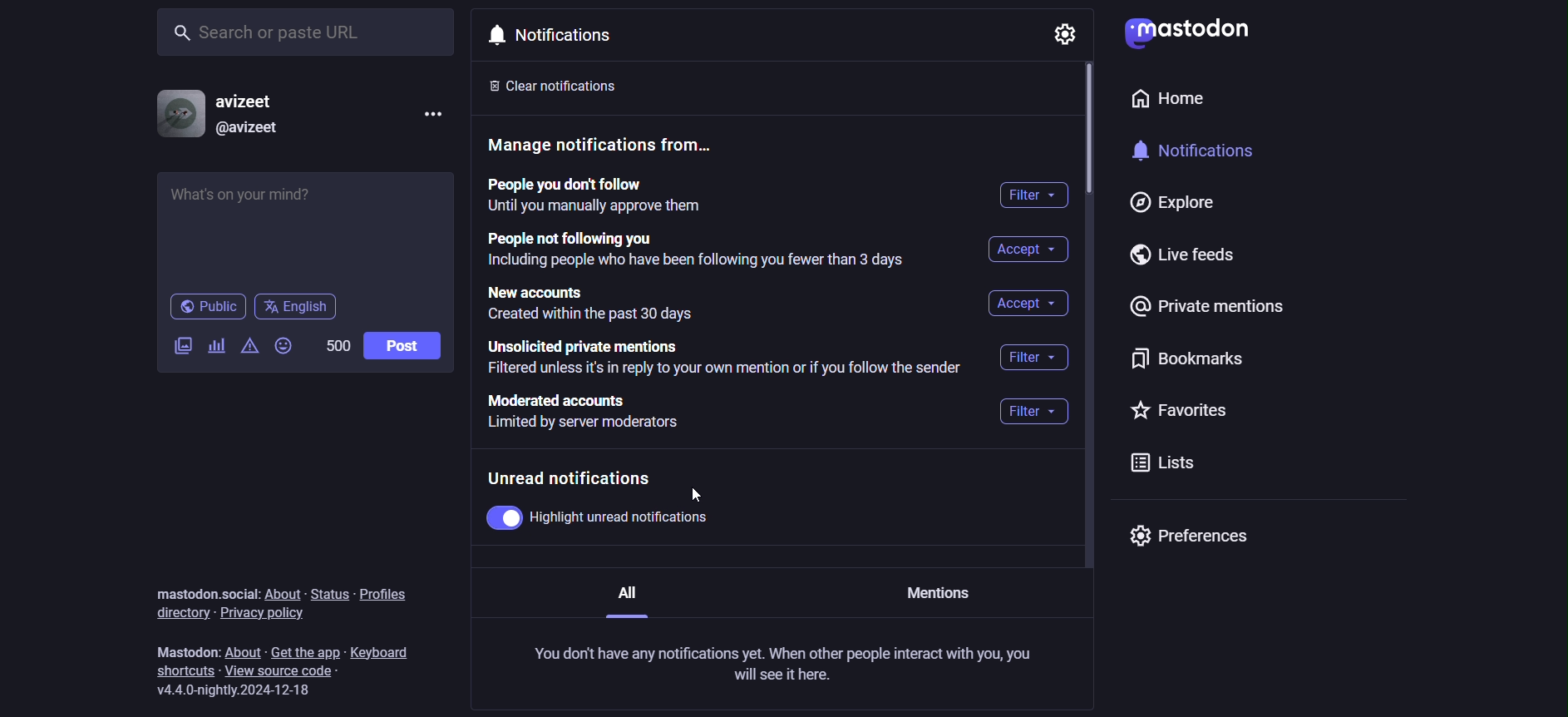  What do you see at coordinates (248, 347) in the screenshot?
I see `content warning` at bounding box center [248, 347].